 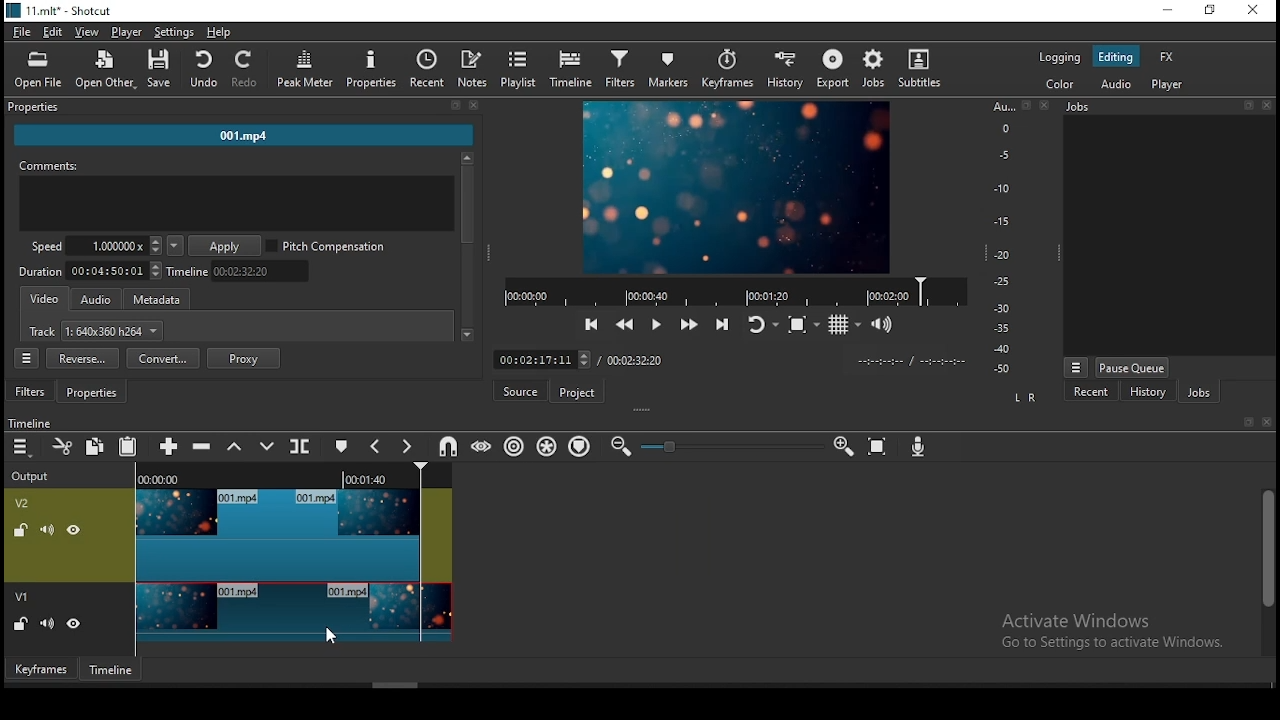 I want to click on JOBS, so click(x=1166, y=107).